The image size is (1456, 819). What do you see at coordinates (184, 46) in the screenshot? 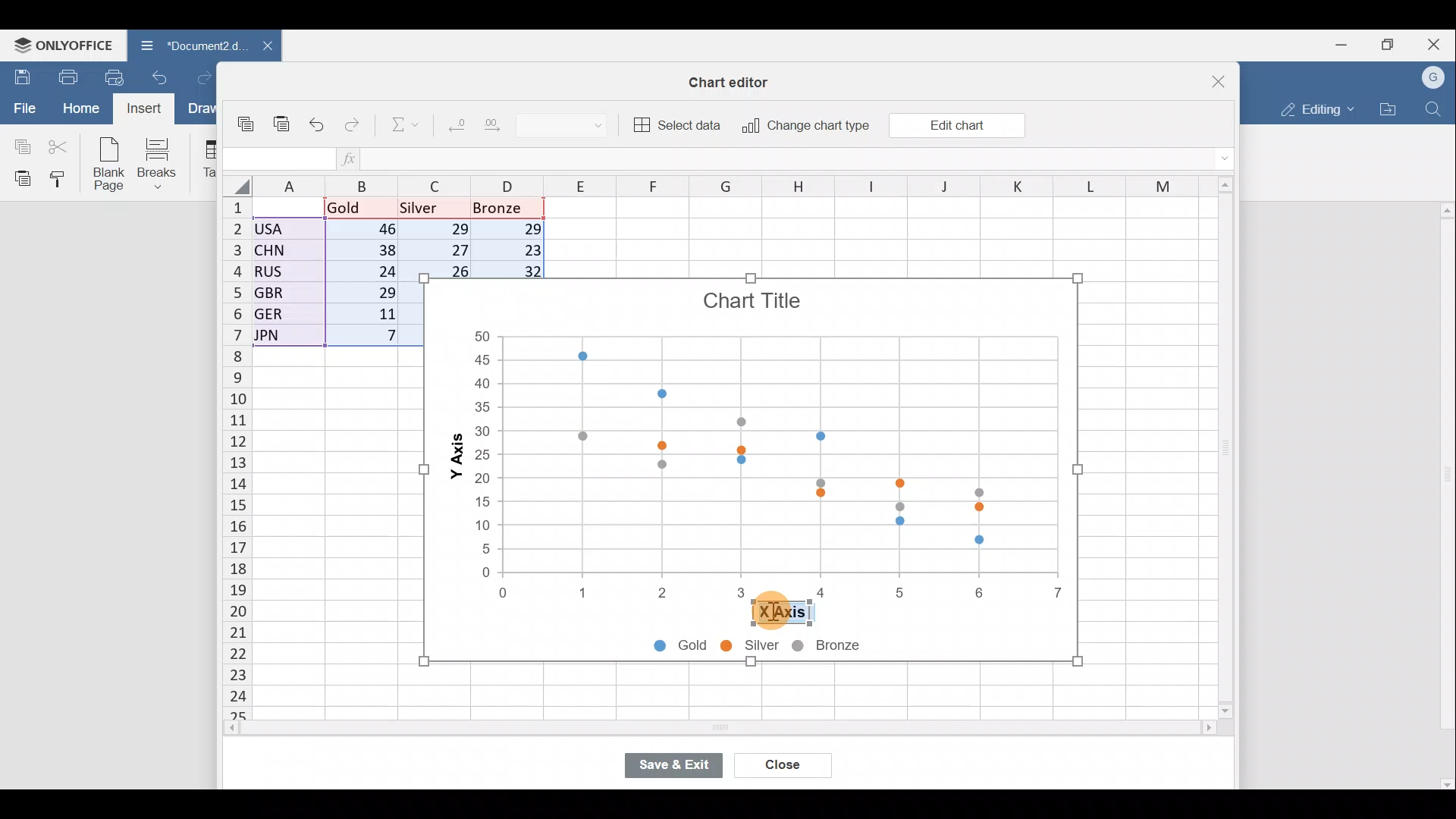
I see `Document2.d` at bounding box center [184, 46].